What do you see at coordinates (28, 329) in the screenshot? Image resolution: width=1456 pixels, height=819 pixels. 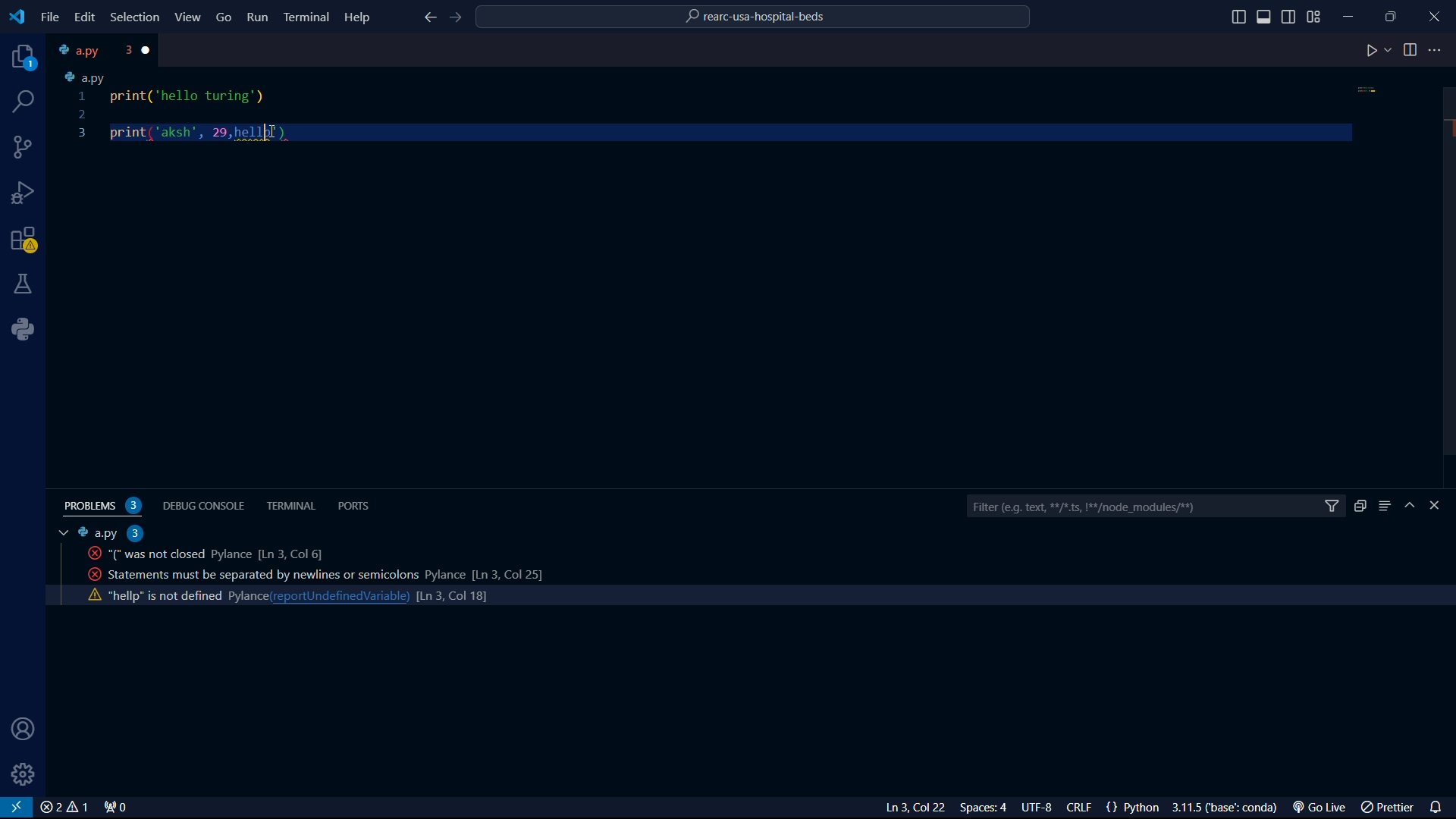 I see `python` at bounding box center [28, 329].